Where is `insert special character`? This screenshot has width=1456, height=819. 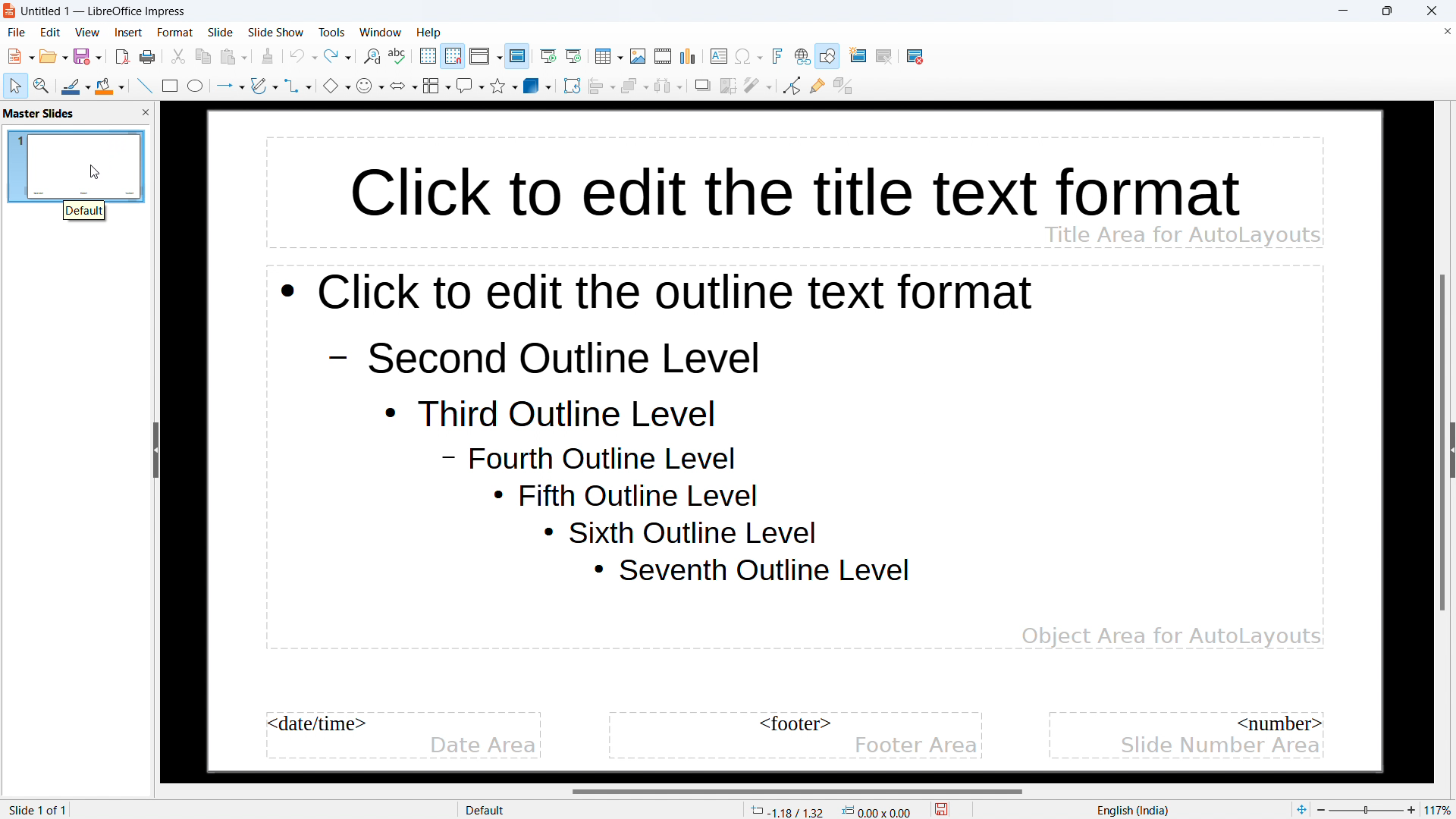
insert special character is located at coordinates (748, 56).